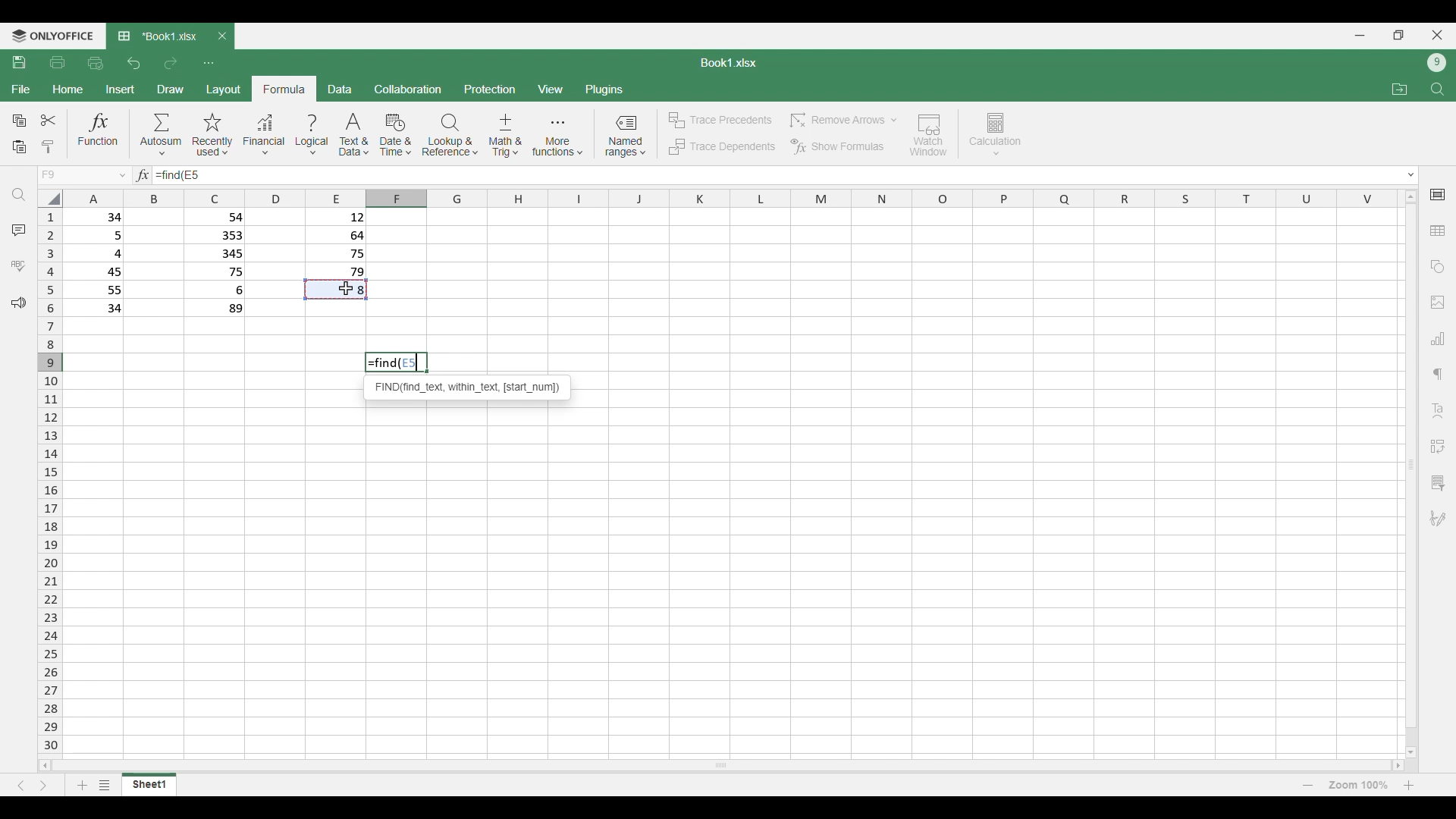 Image resolution: width=1456 pixels, height=819 pixels. I want to click on Sheet name, so click(729, 63).